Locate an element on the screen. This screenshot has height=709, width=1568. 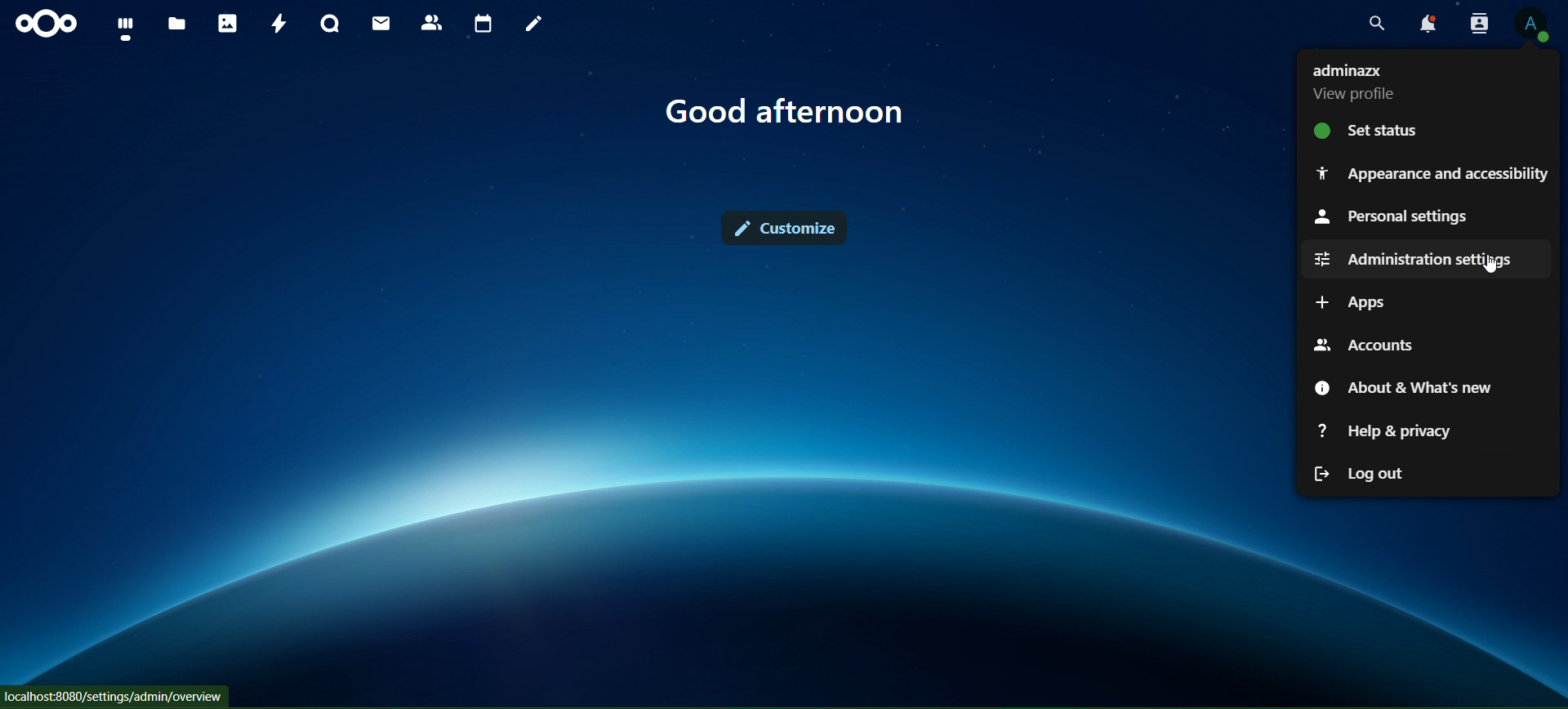
cursor is located at coordinates (1486, 265).